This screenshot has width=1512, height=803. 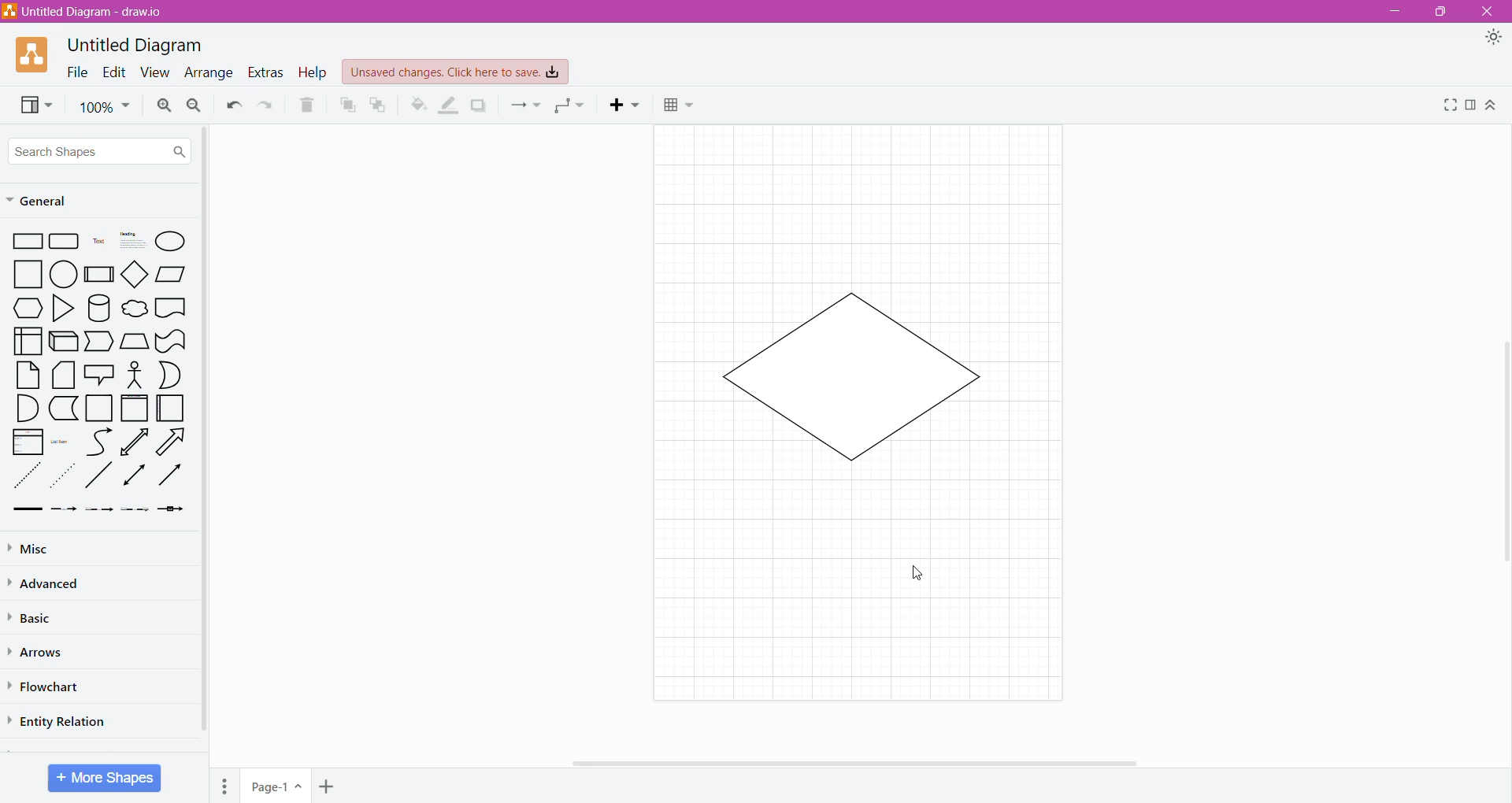 What do you see at coordinates (378, 105) in the screenshot?
I see `To Back` at bounding box center [378, 105].